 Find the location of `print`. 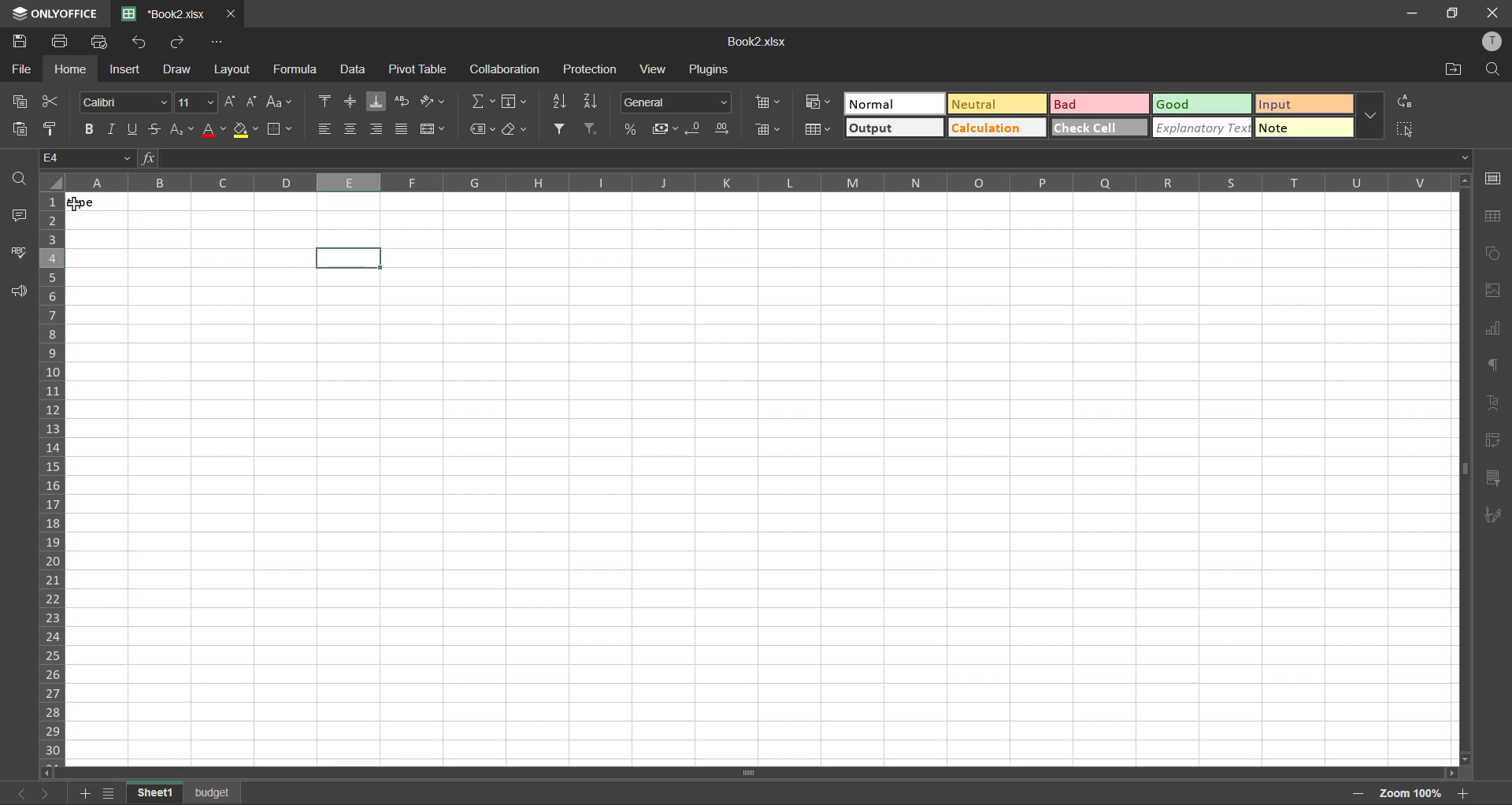

print is located at coordinates (63, 42).